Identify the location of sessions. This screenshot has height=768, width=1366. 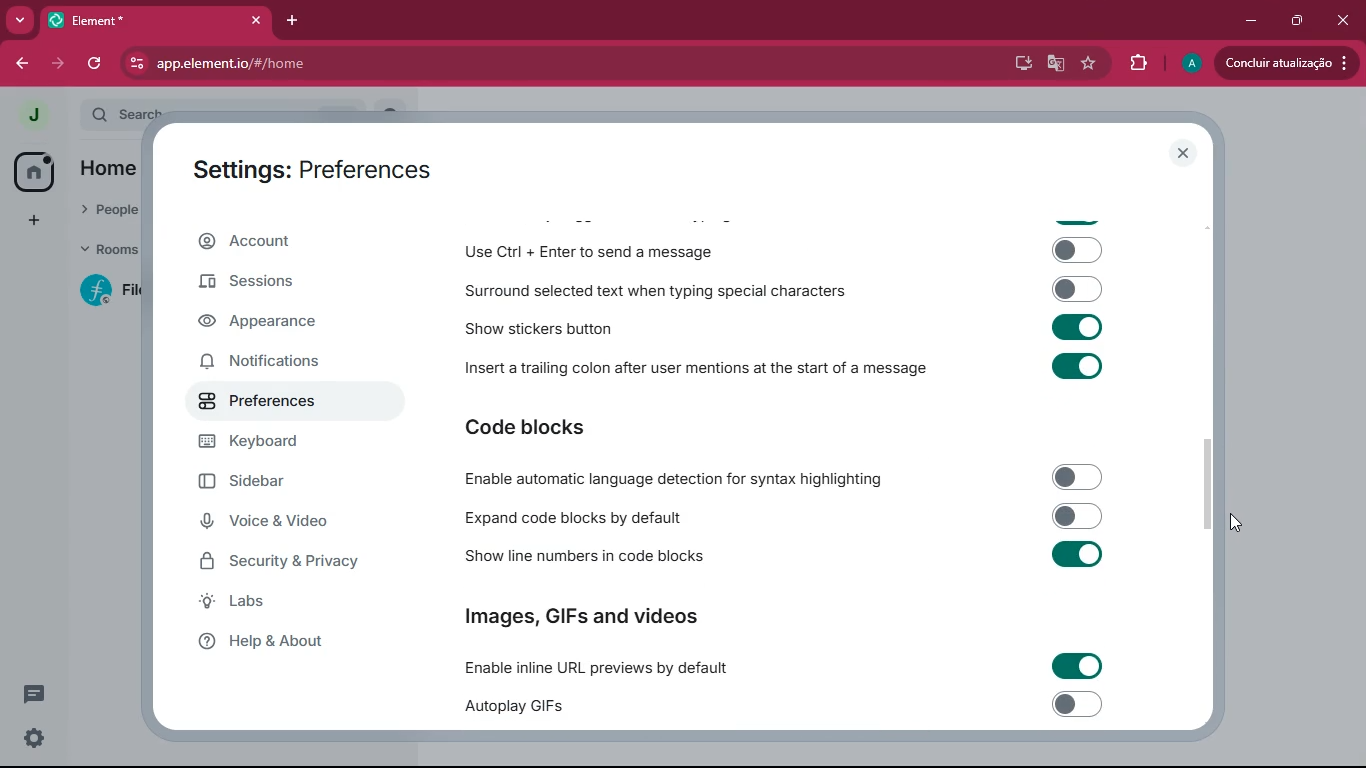
(281, 282).